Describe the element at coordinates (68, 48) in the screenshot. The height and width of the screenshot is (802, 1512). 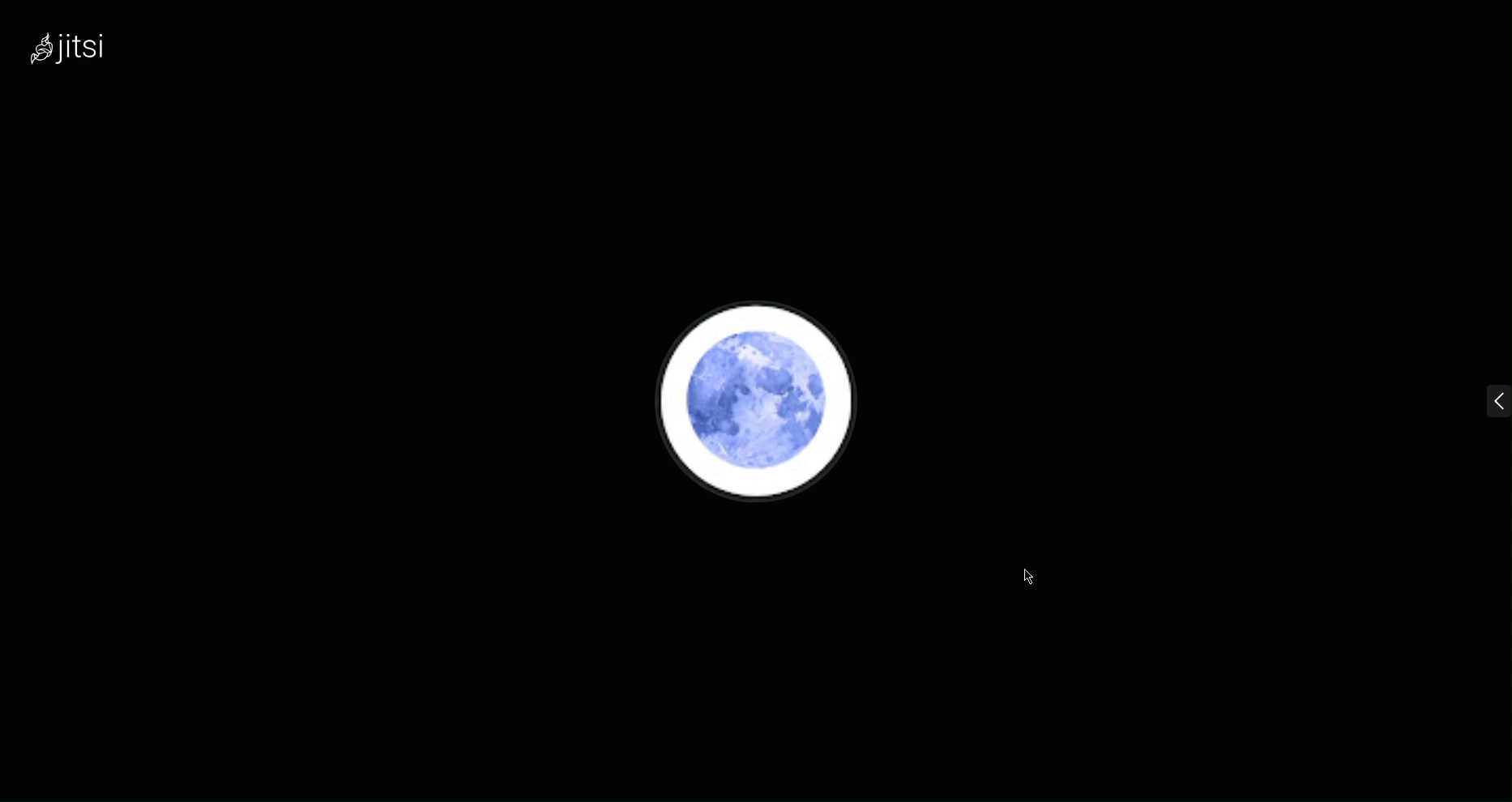
I see `Jitsi` at that location.